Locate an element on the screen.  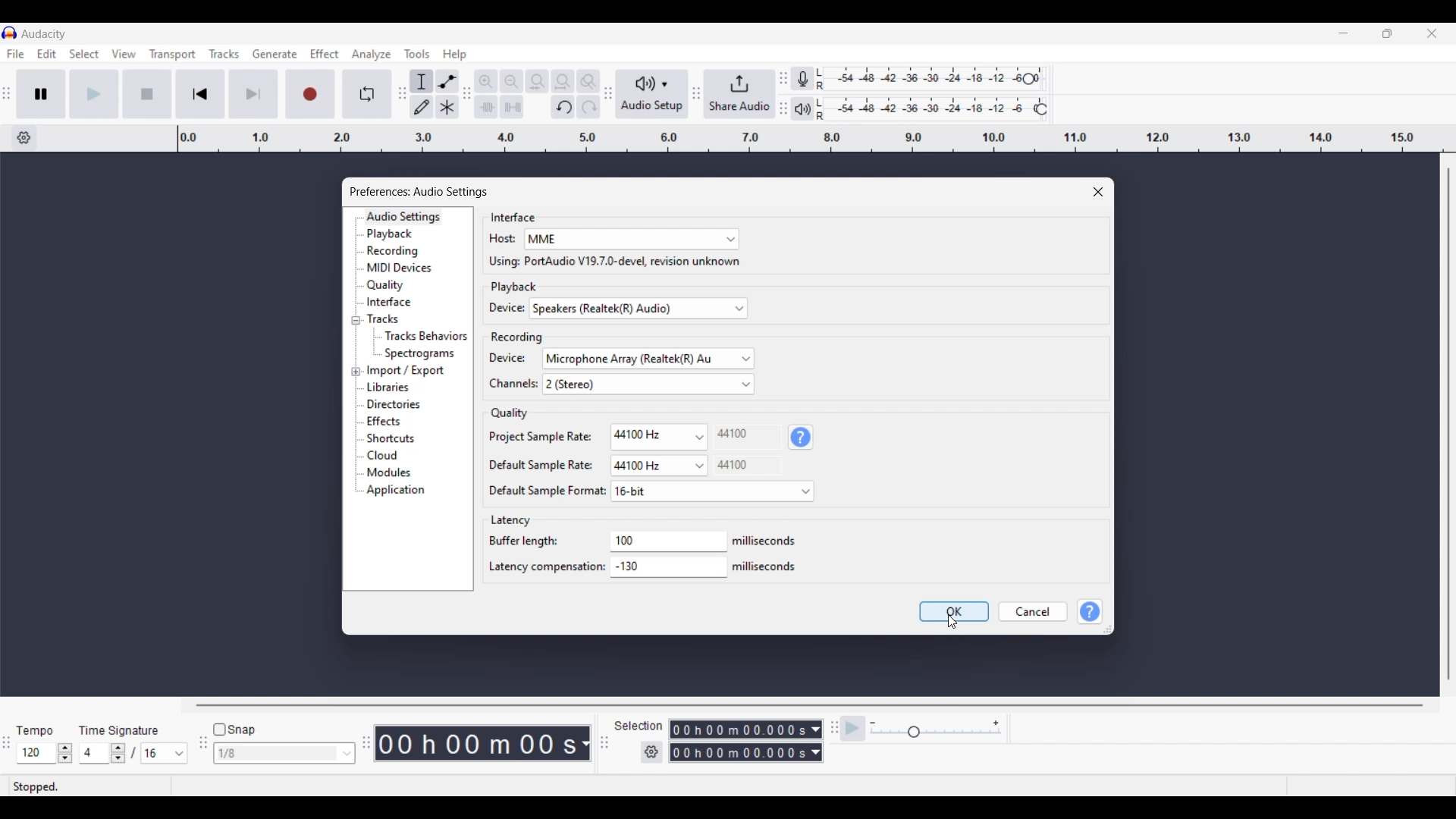
Tools menu is located at coordinates (417, 54).